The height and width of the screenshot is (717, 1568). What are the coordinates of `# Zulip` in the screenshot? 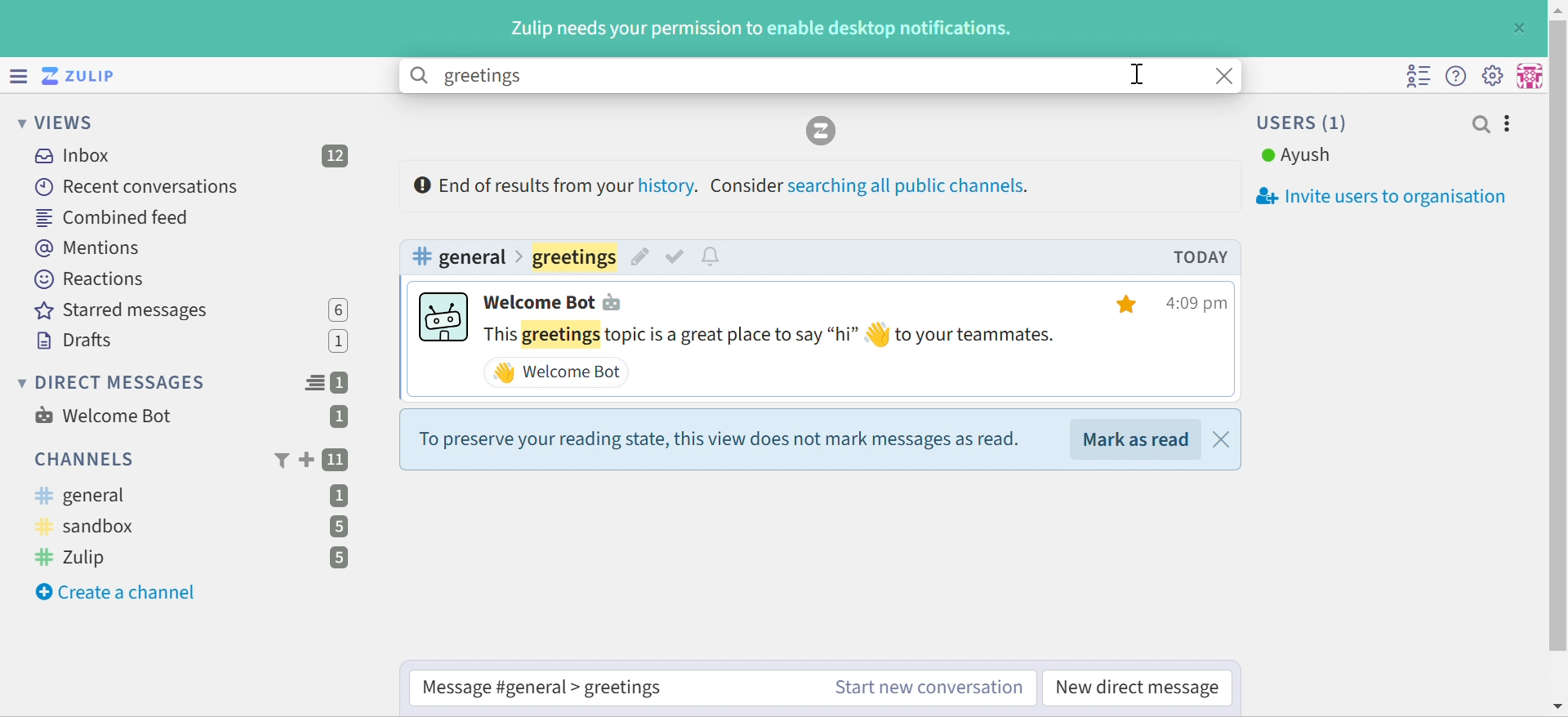 It's located at (77, 559).